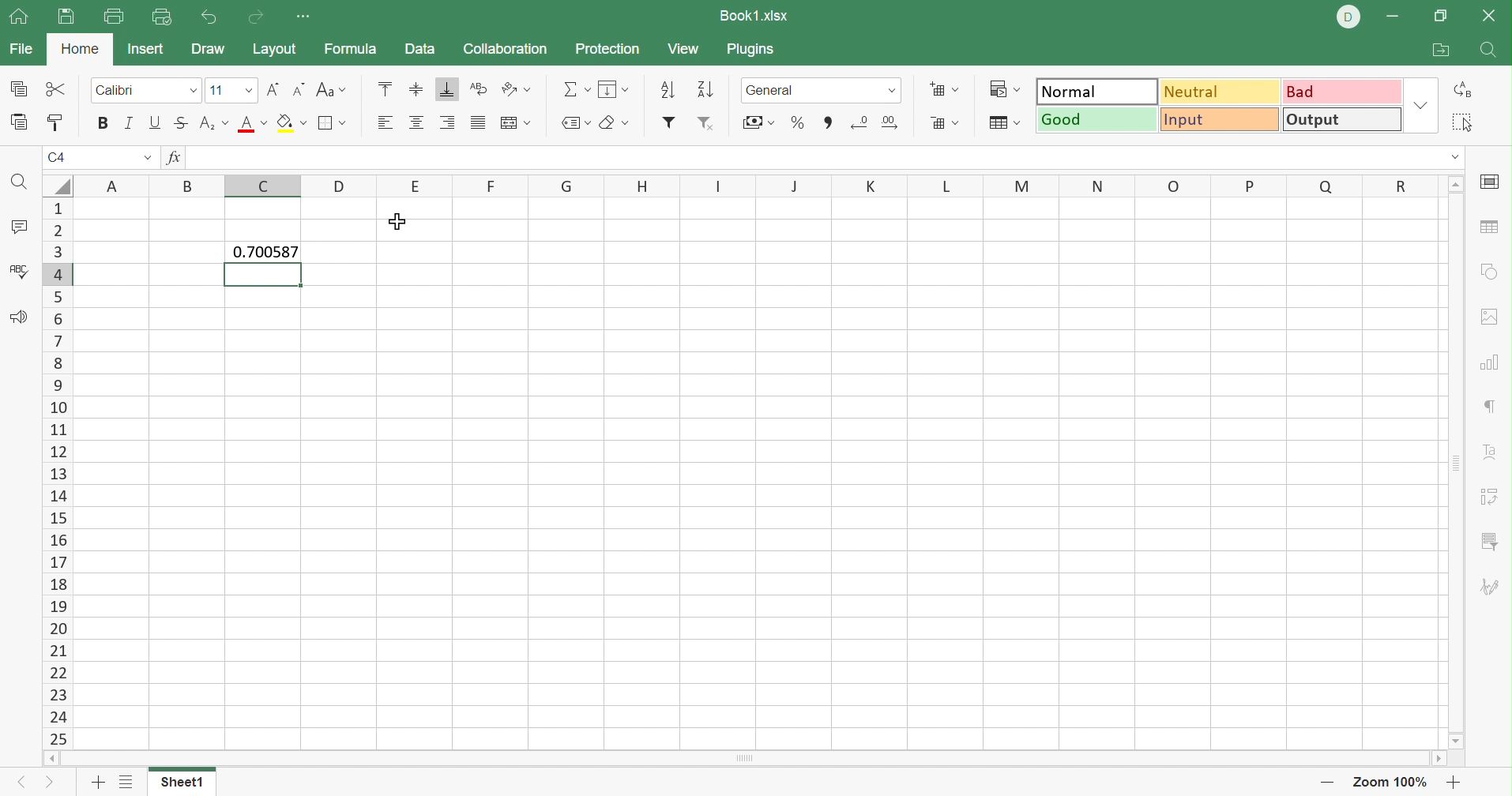 The image size is (1512, 796). What do you see at coordinates (1491, 544) in the screenshot?
I see `Slicer settings` at bounding box center [1491, 544].